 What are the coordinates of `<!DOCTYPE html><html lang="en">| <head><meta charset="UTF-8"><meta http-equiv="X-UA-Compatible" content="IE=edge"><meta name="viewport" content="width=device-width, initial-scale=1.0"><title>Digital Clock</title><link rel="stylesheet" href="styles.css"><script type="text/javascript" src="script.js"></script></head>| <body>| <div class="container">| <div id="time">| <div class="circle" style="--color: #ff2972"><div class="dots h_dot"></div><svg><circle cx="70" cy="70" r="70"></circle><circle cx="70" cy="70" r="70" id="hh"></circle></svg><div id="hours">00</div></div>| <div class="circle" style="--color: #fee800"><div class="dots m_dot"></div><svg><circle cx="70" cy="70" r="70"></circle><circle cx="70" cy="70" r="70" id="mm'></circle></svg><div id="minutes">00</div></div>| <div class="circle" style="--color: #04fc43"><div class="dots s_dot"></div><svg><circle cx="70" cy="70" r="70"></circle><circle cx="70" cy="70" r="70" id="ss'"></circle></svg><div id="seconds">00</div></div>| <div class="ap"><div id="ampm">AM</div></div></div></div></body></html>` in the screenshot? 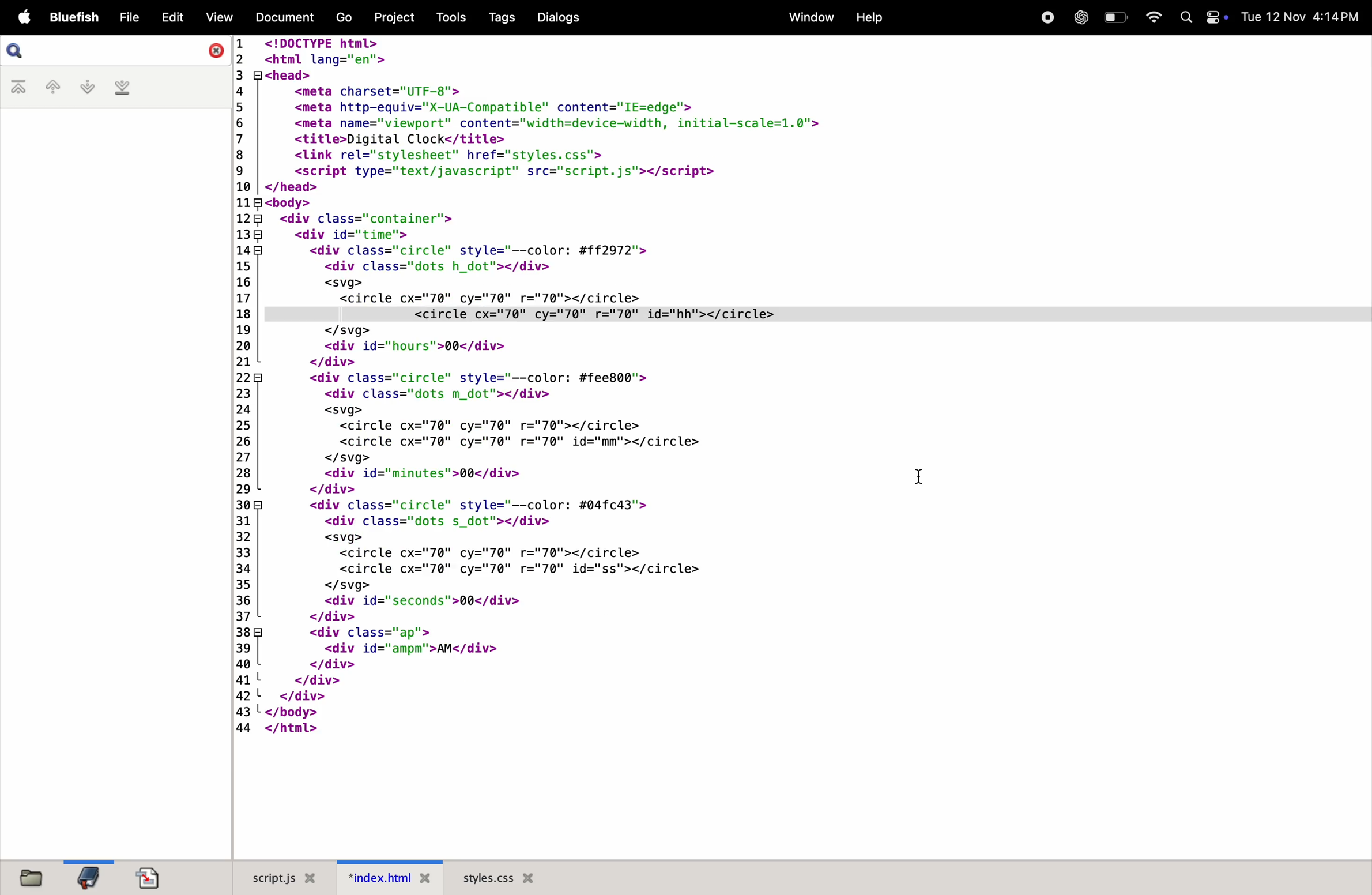 It's located at (575, 385).